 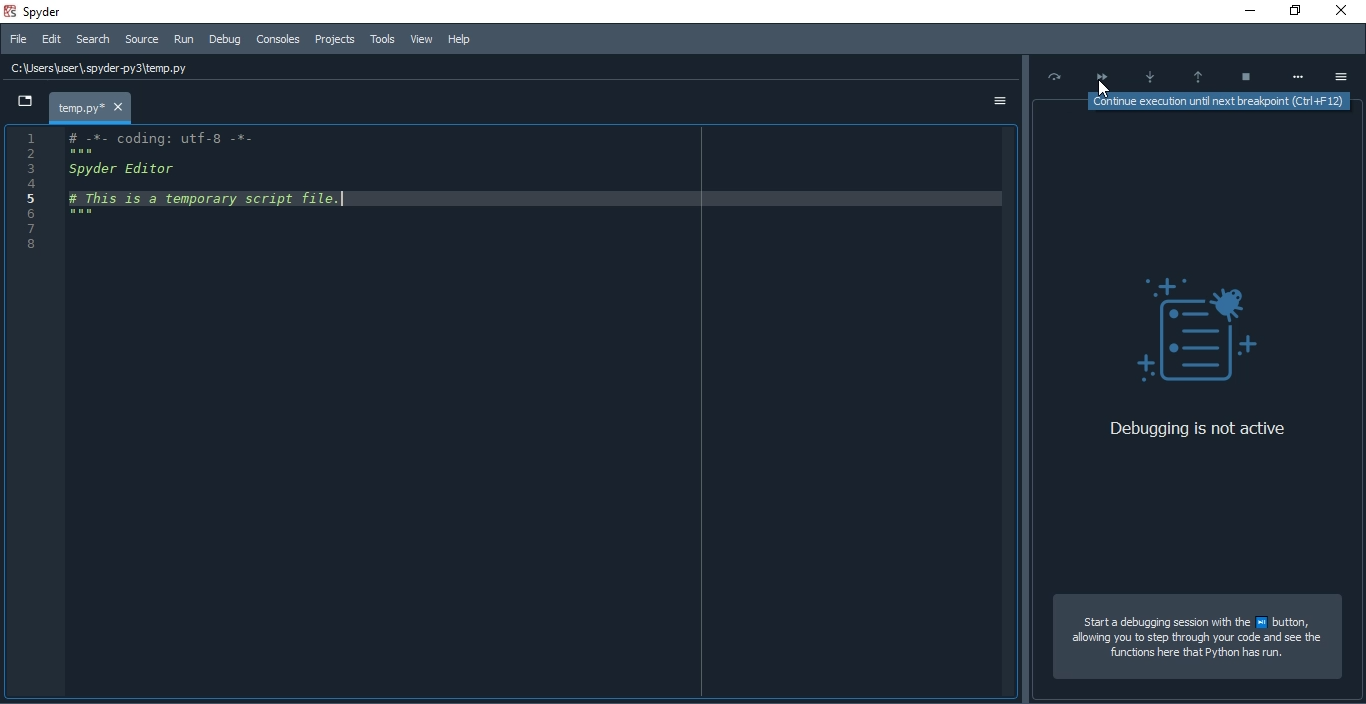 I want to click on options, so click(x=1345, y=78).